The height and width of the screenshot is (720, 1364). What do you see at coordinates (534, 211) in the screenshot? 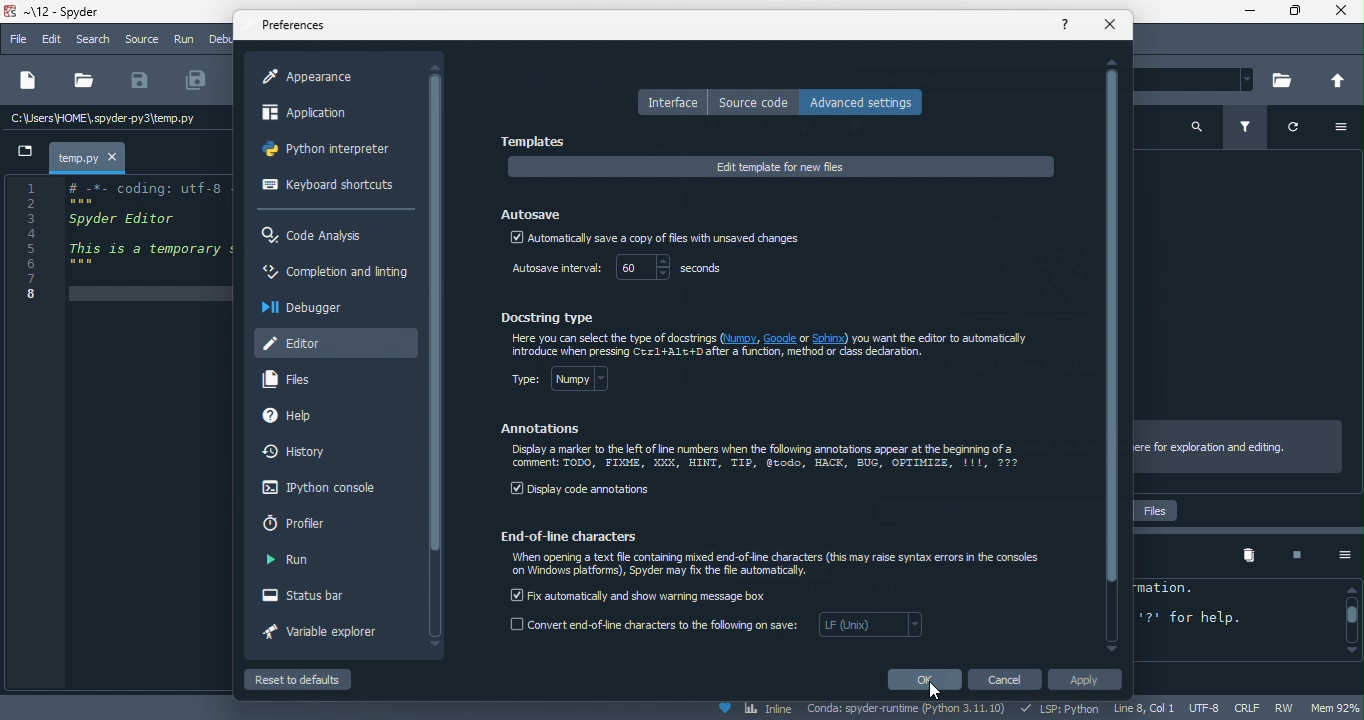
I see `autosave` at bounding box center [534, 211].